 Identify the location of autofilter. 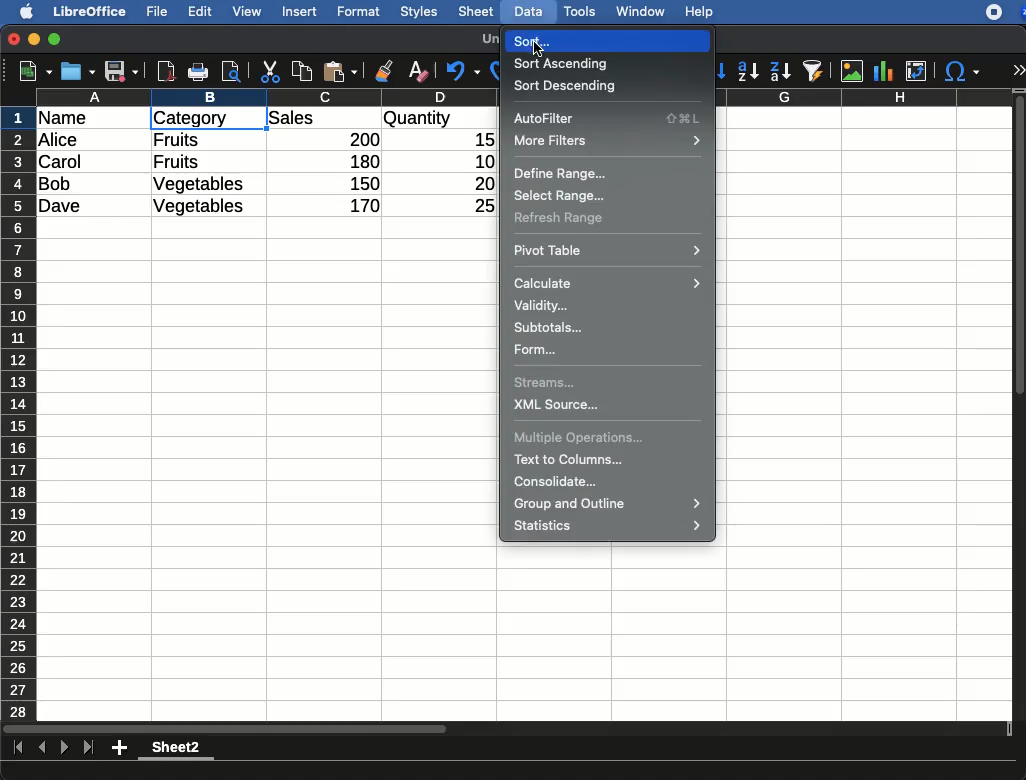
(609, 119).